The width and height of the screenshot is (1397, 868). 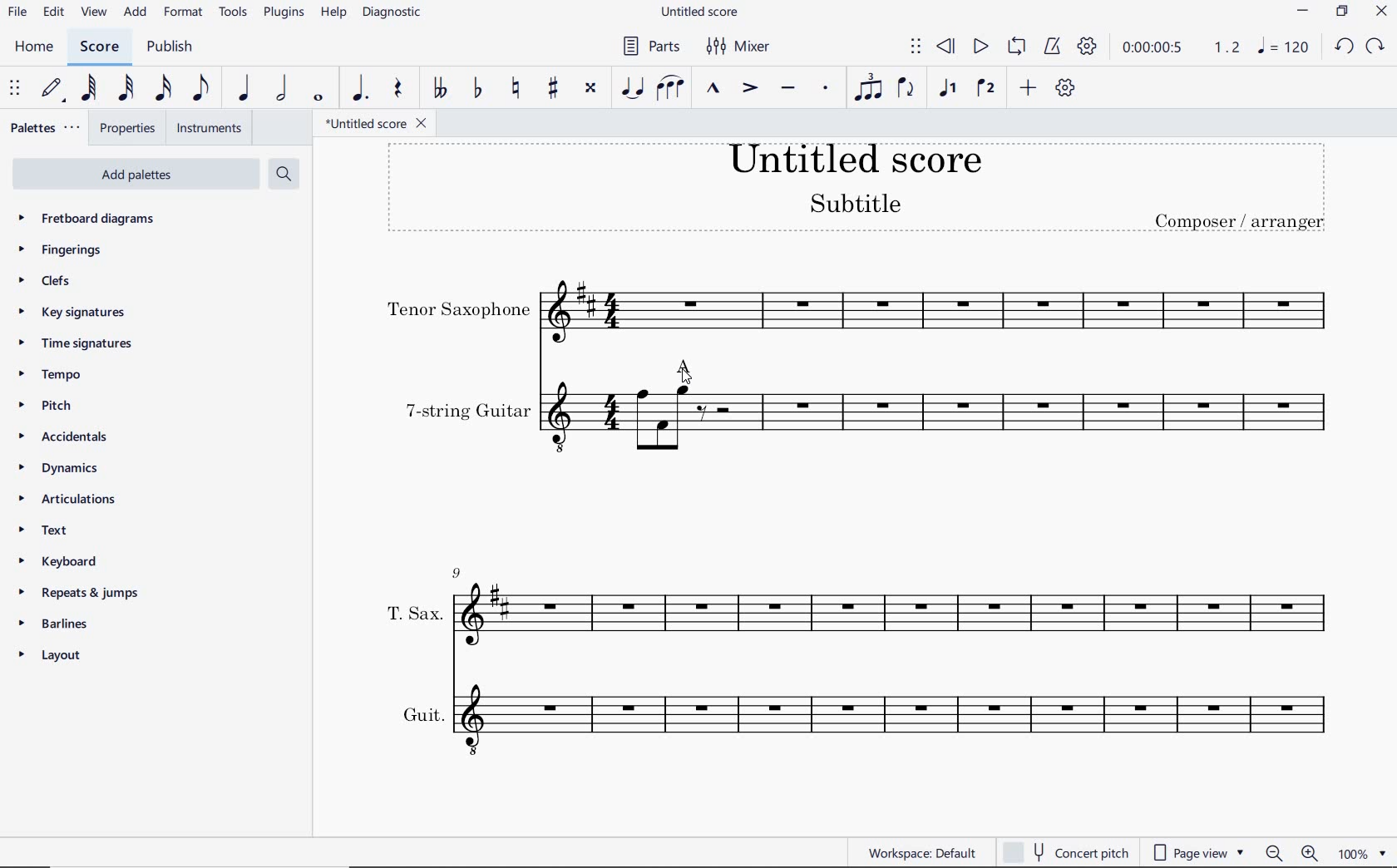 I want to click on PAGE VIEW, so click(x=1201, y=851).